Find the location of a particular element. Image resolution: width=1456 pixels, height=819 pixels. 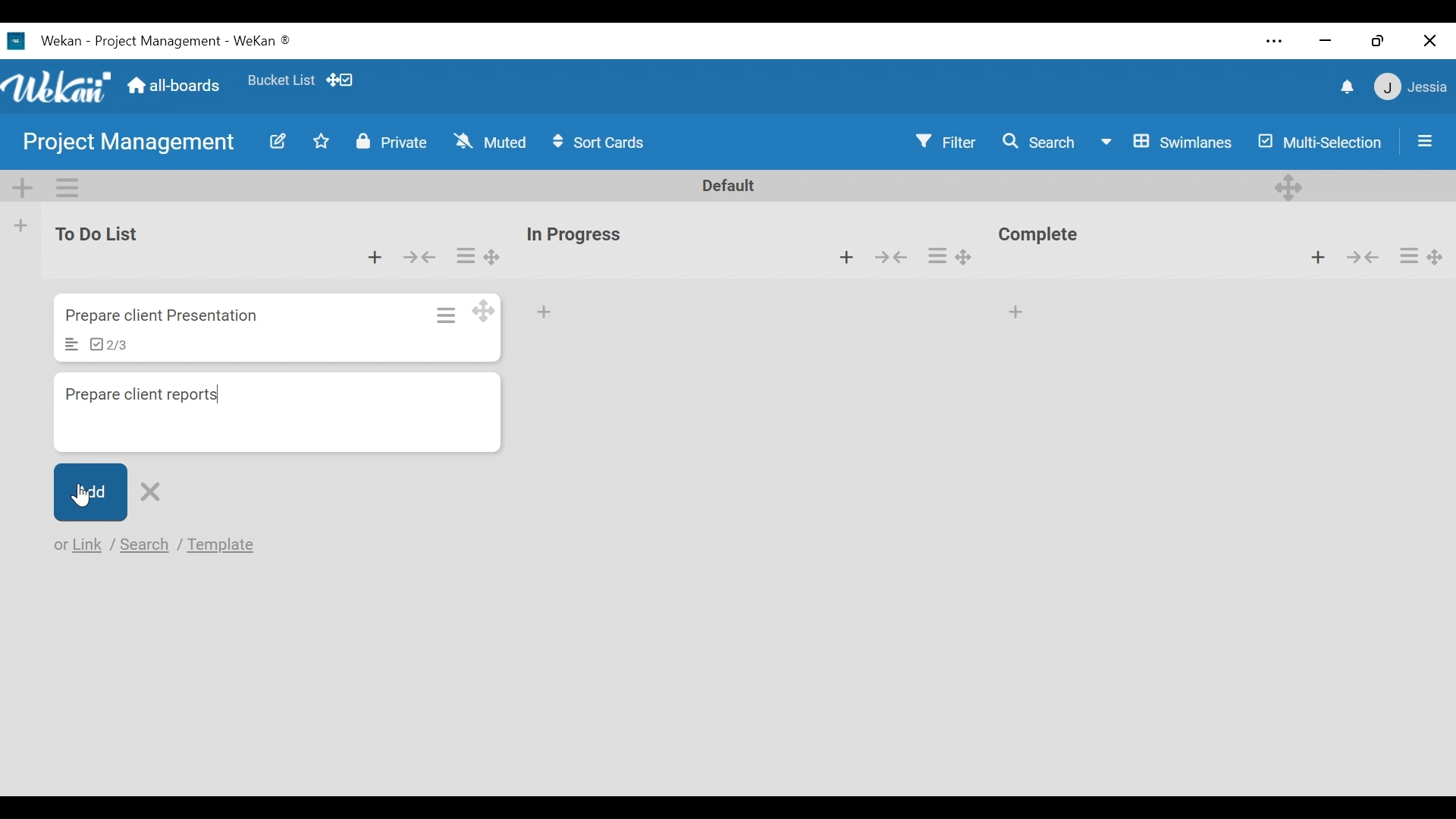

notifications is located at coordinates (1343, 86).